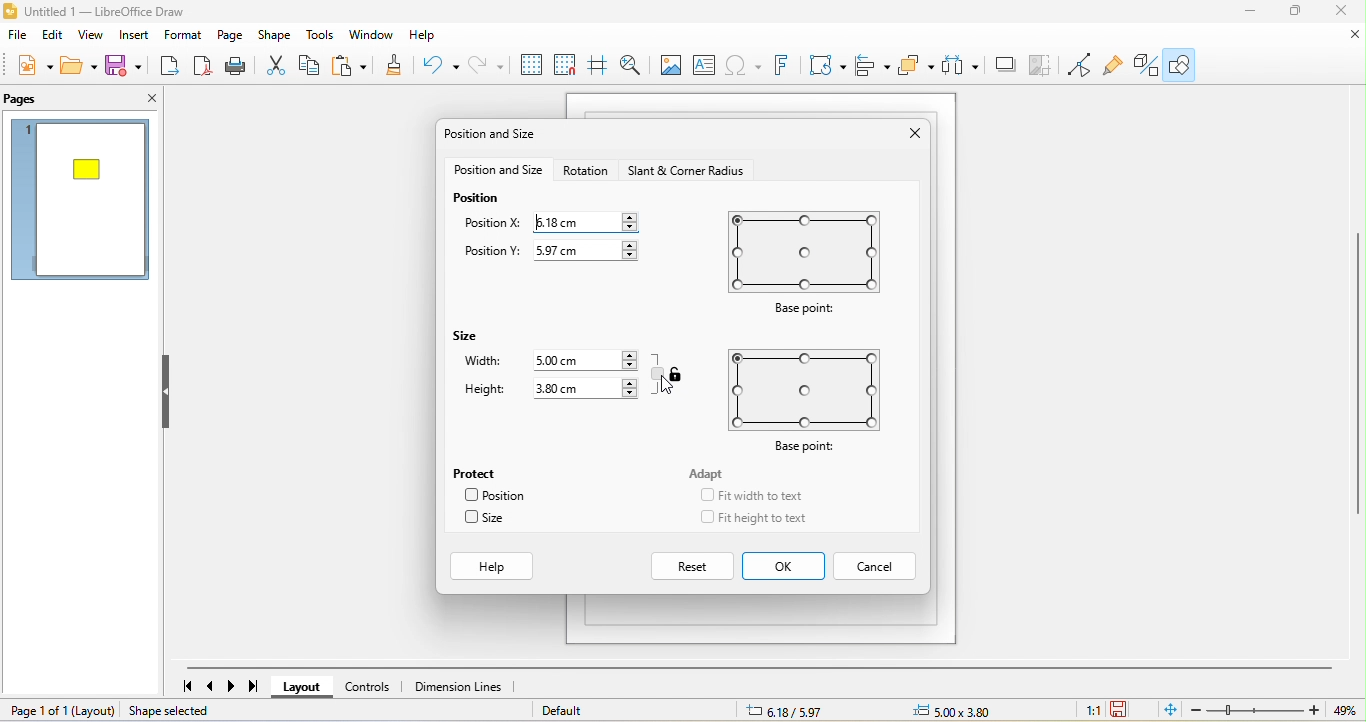 The height and width of the screenshot is (722, 1366). I want to click on base point, so click(803, 399).